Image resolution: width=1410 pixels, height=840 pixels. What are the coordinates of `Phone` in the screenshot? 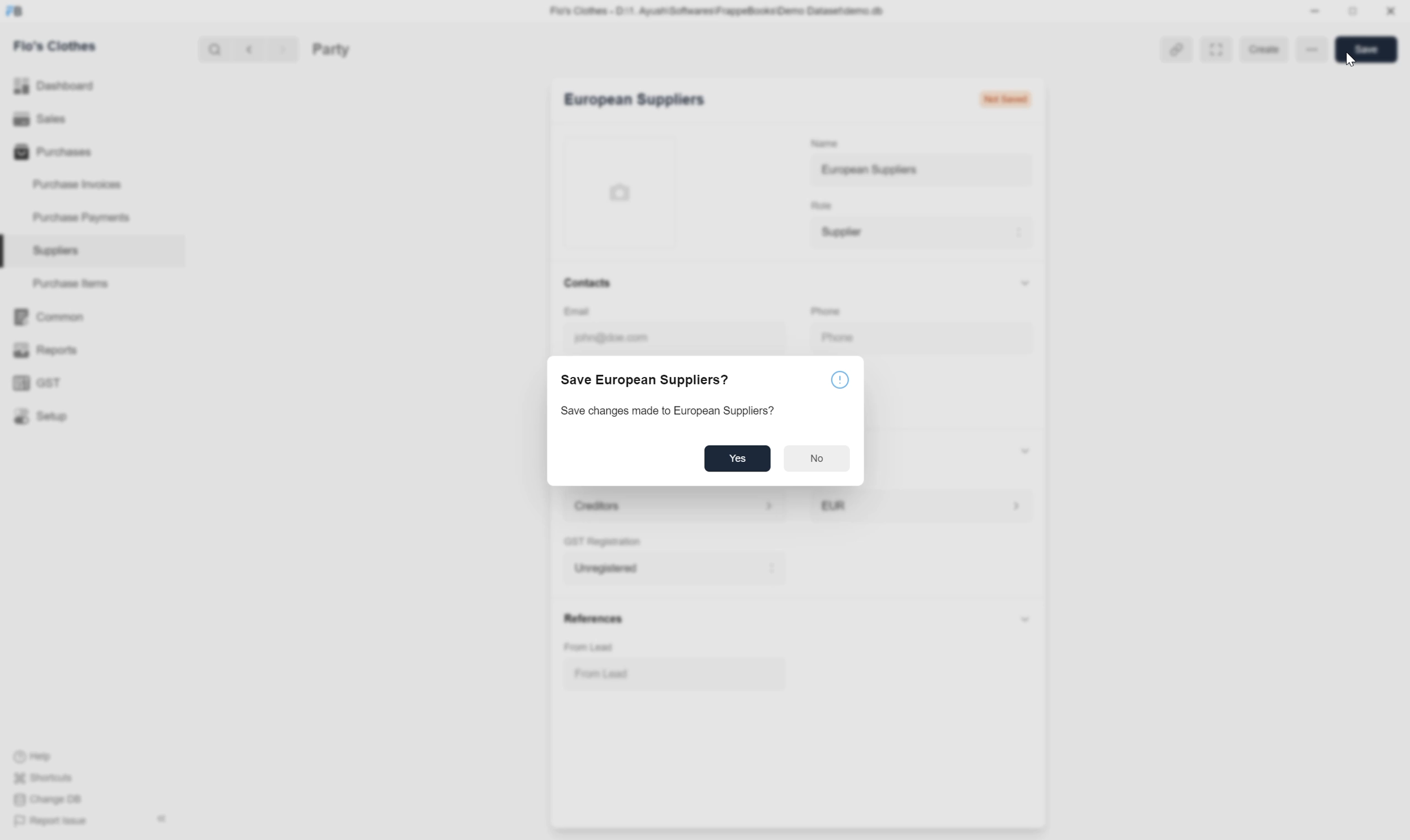 It's located at (863, 337).